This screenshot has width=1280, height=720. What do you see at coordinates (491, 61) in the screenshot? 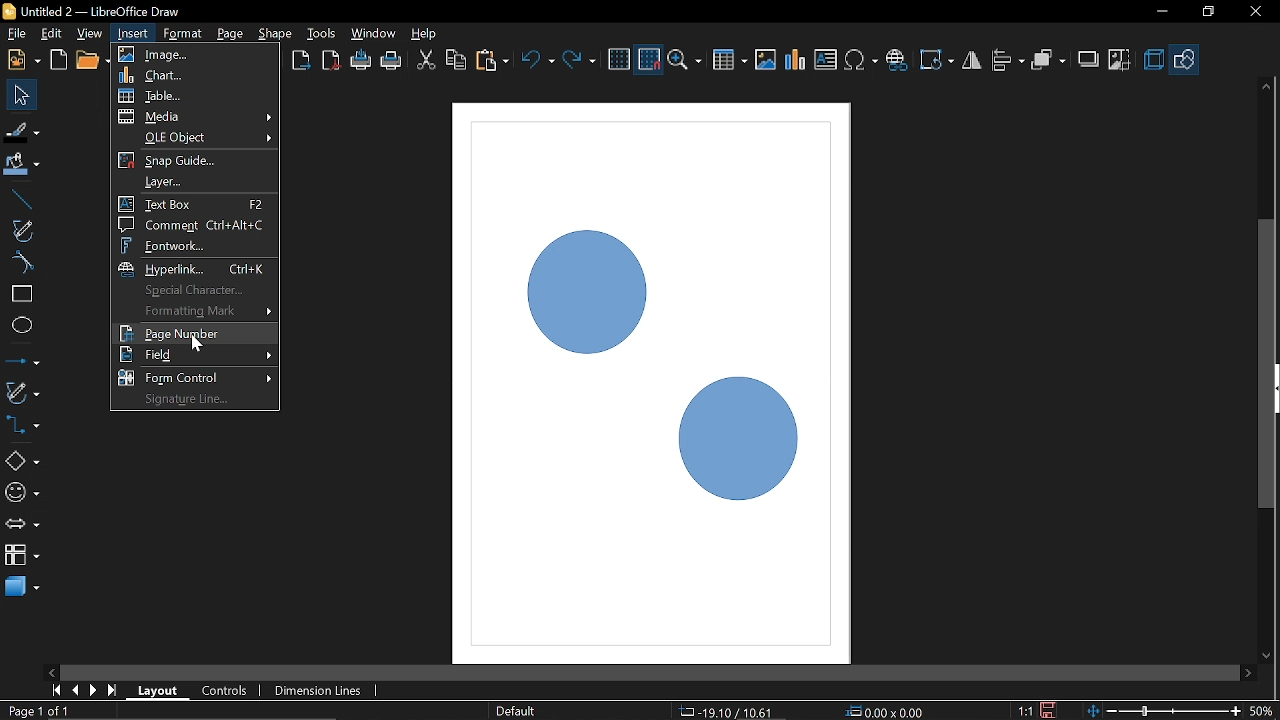
I see `Paste` at bounding box center [491, 61].